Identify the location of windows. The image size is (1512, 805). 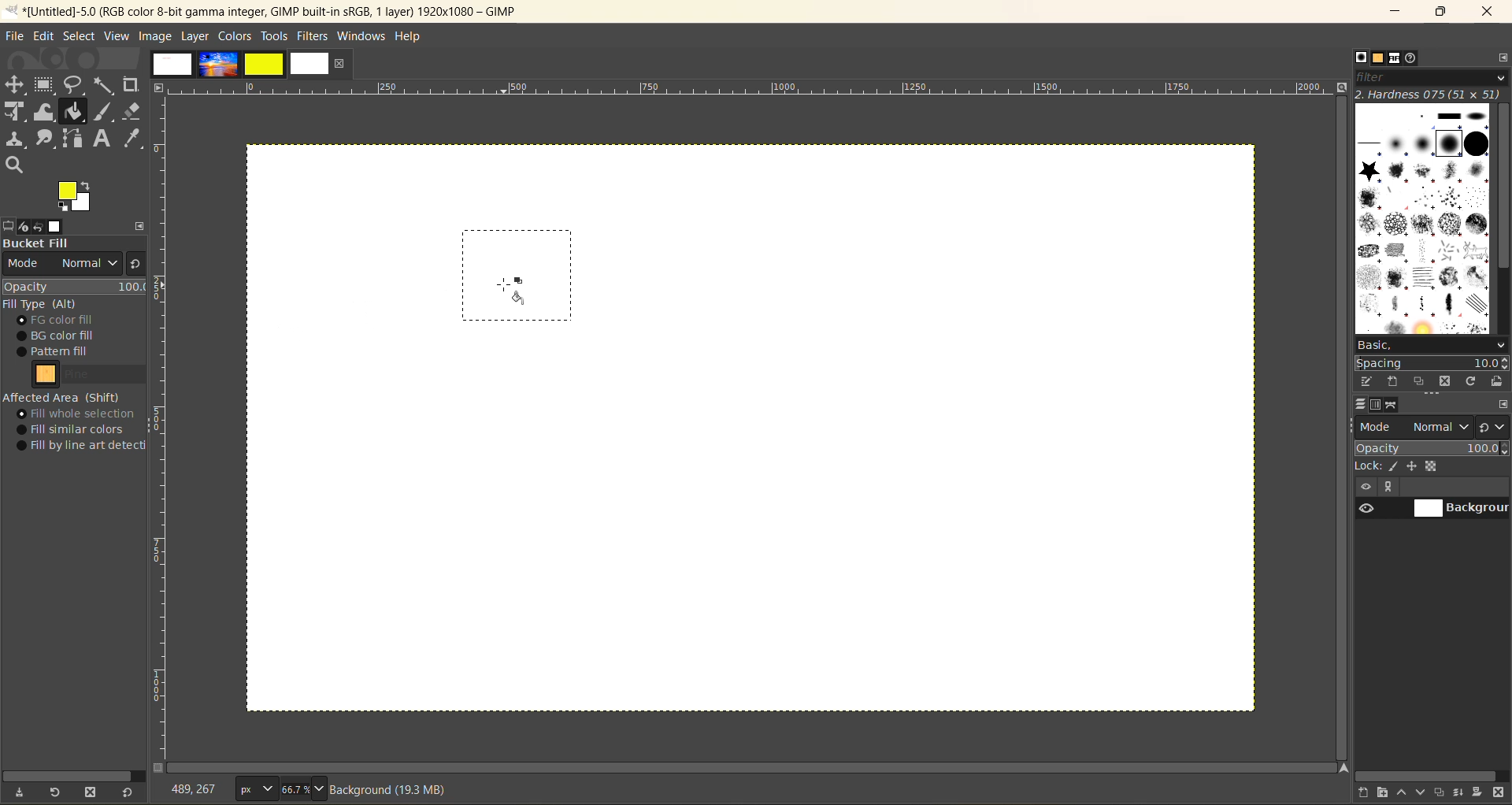
(363, 36).